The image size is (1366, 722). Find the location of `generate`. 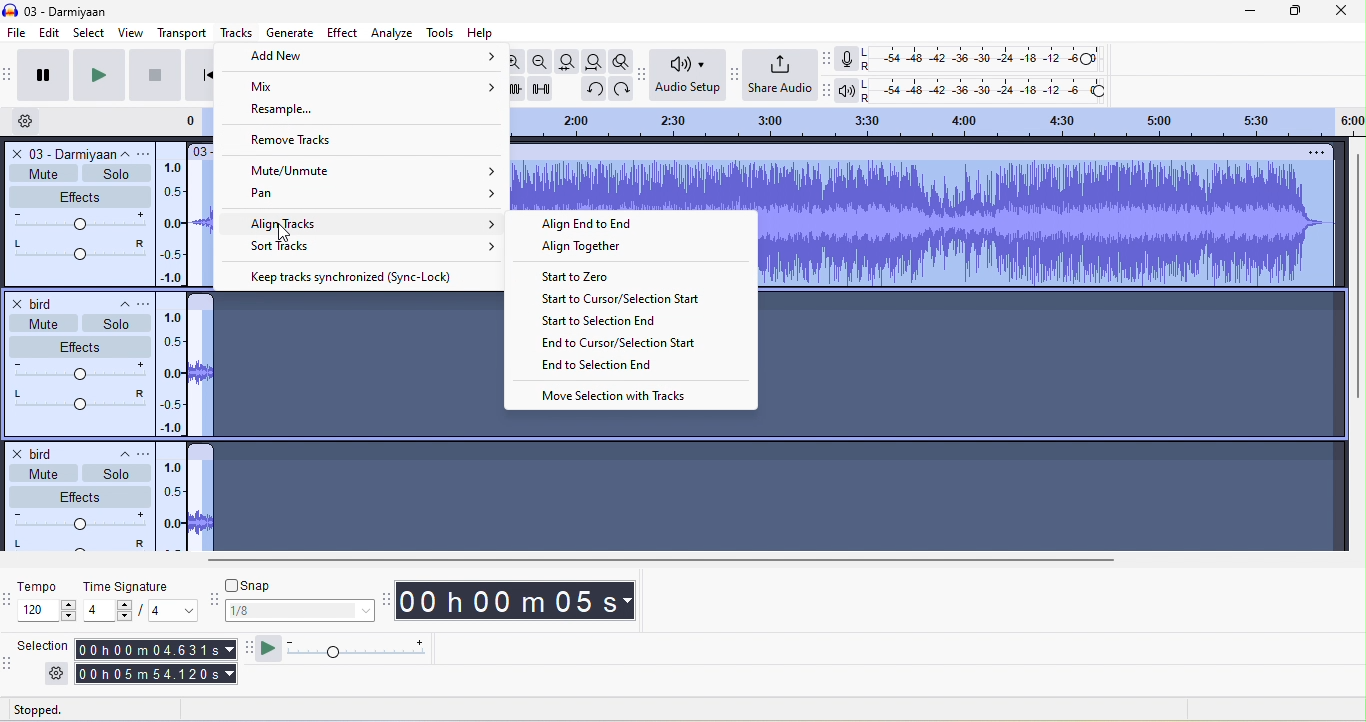

generate is located at coordinates (291, 31).